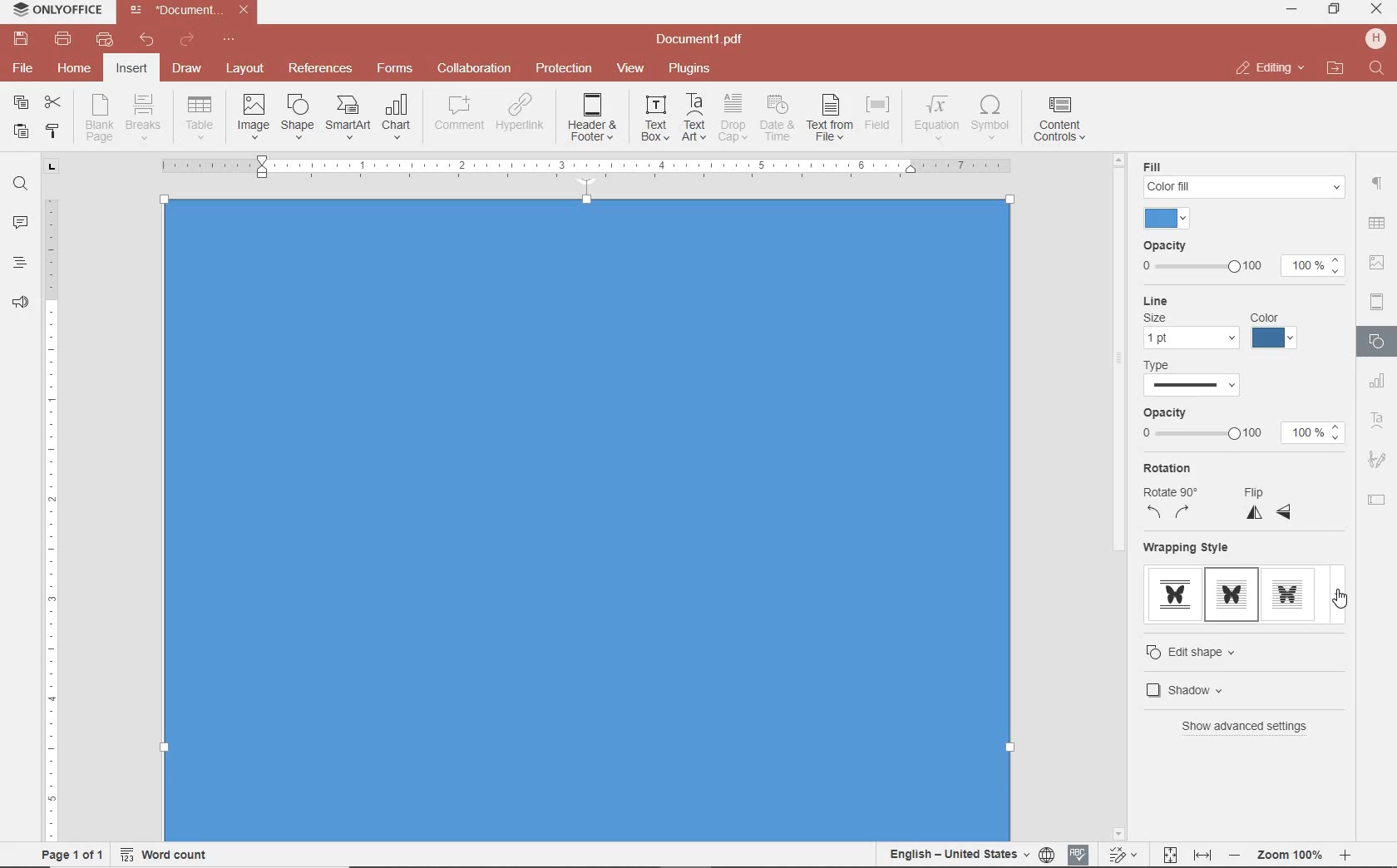 The image size is (1397, 868). What do you see at coordinates (1184, 856) in the screenshot?
I see `fit to page and width` at bounding box center [1184, 856].